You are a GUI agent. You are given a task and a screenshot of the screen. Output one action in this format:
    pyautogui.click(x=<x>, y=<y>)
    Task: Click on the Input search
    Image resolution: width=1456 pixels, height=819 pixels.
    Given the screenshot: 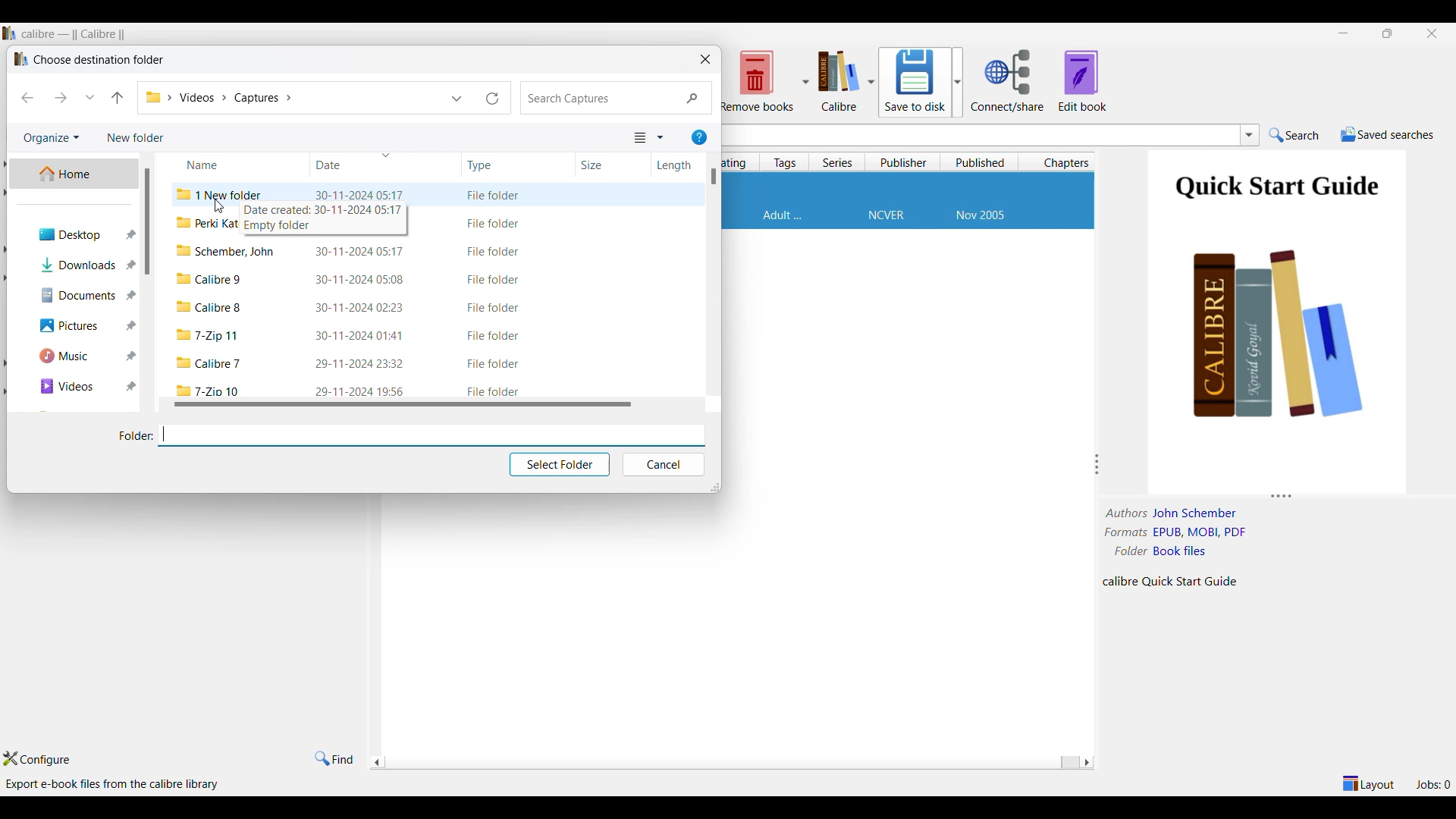 What is the action you would take?
    pyautogui.click(x=978, y=135)
    